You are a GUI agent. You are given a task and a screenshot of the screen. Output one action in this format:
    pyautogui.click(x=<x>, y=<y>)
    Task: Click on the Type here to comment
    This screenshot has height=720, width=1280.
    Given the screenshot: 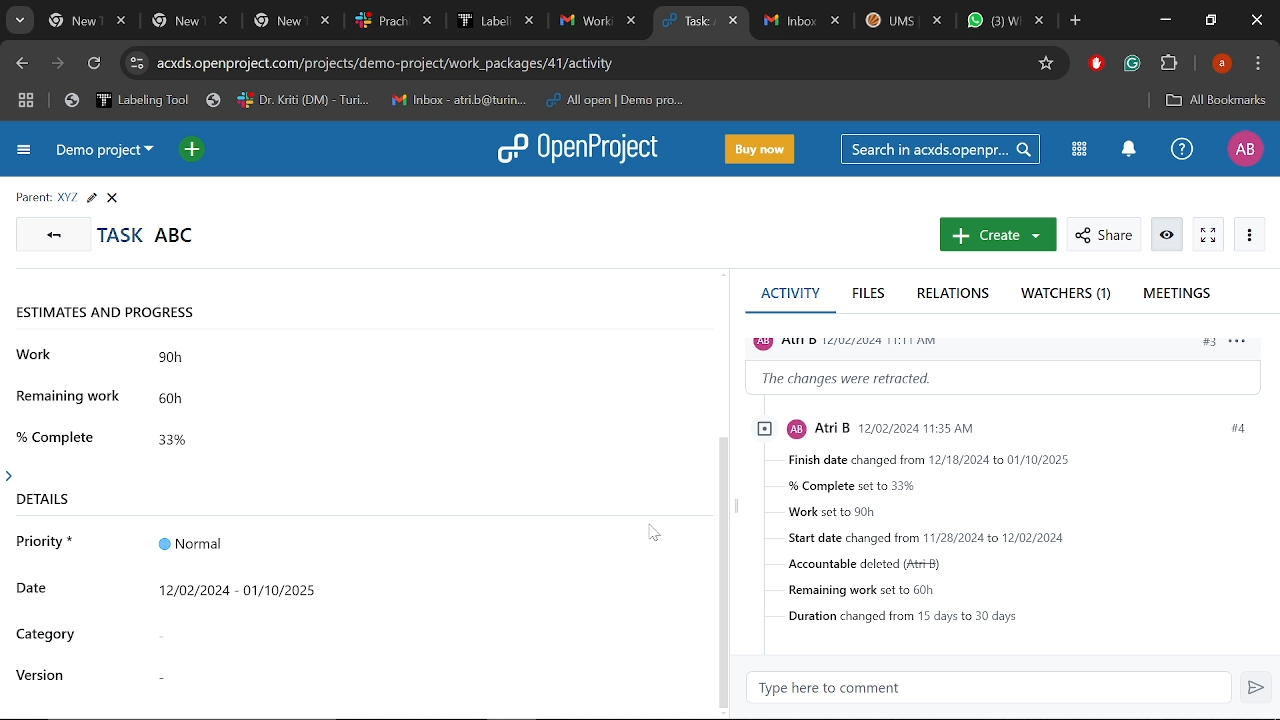 What is the action you would take?
    pyautogui.click(x=990, y=688)
    